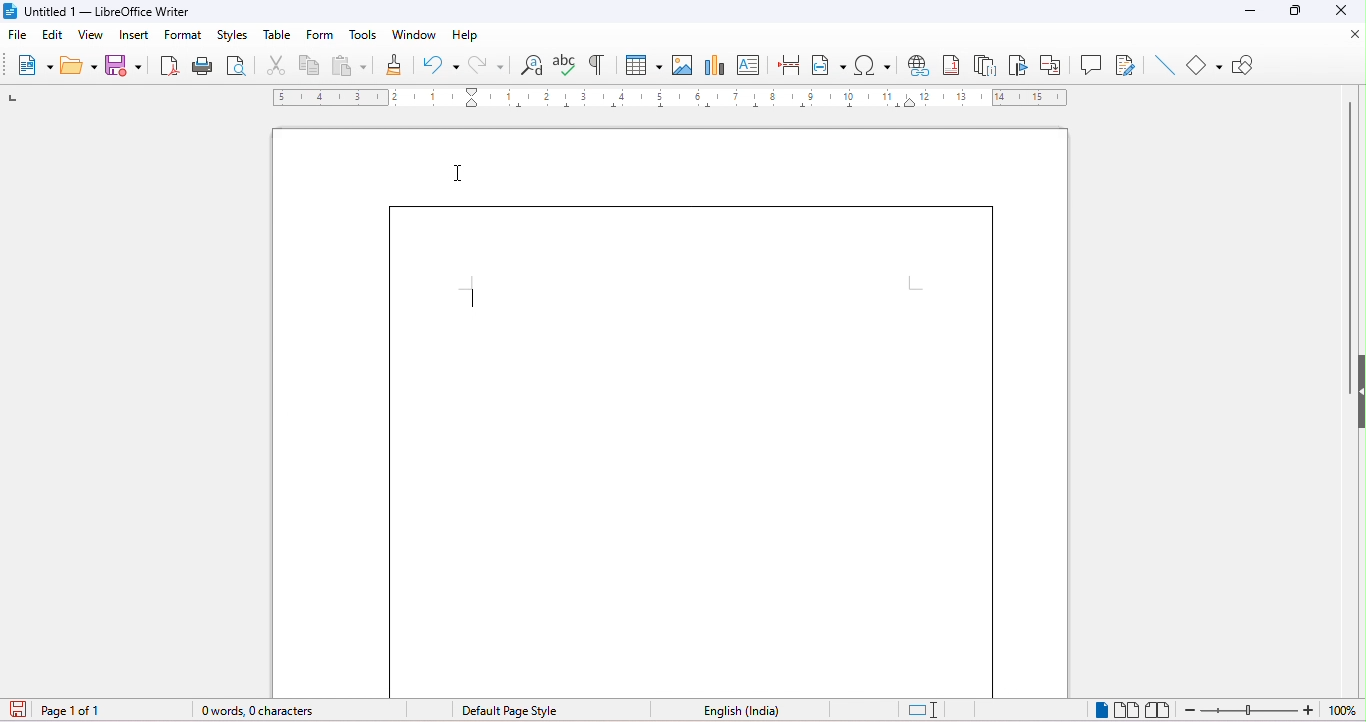 The image size is (1366, 722). I want to click on ruler, so click(666, 98).